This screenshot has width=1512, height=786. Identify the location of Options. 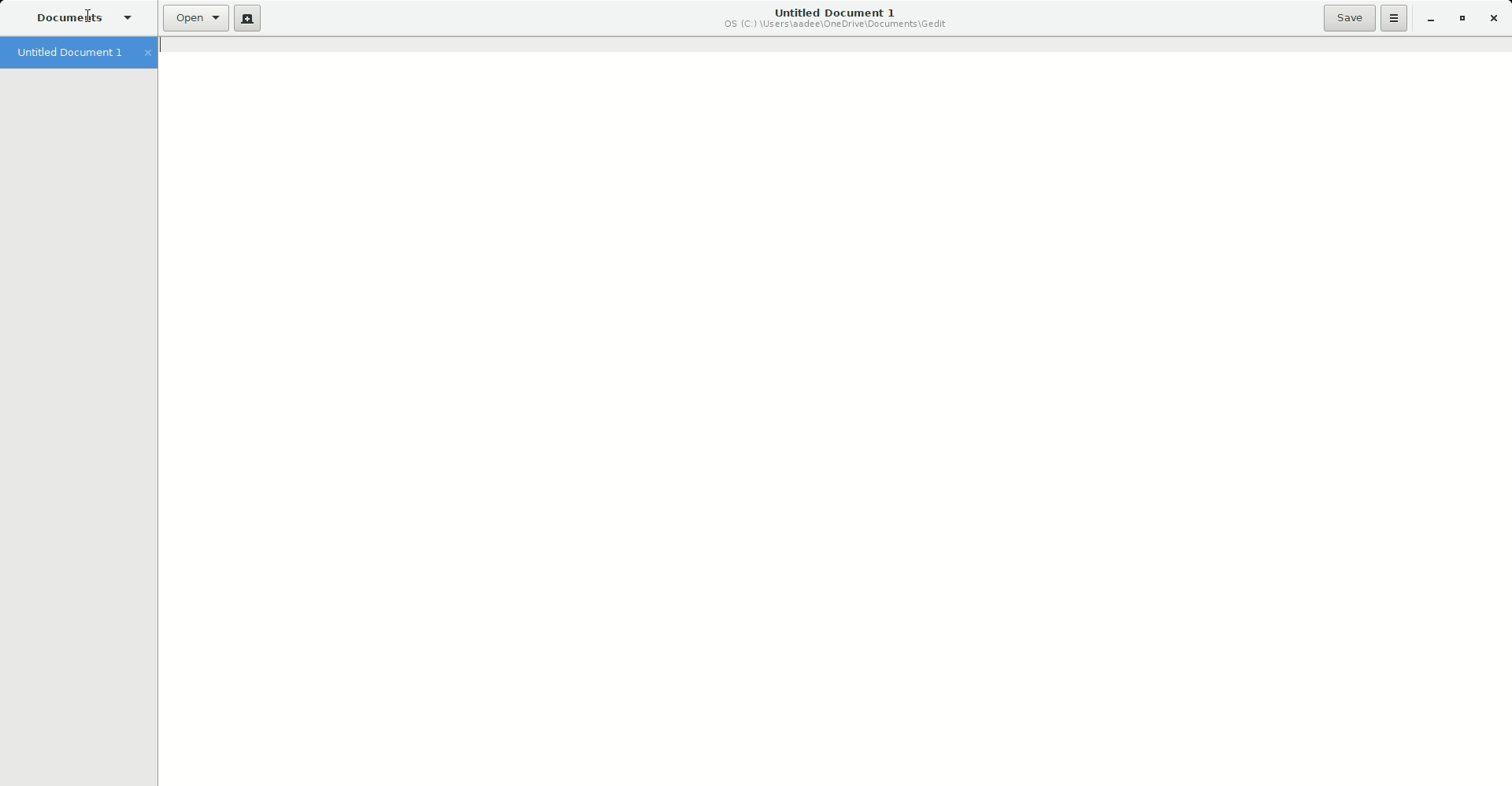
(1393, 19).